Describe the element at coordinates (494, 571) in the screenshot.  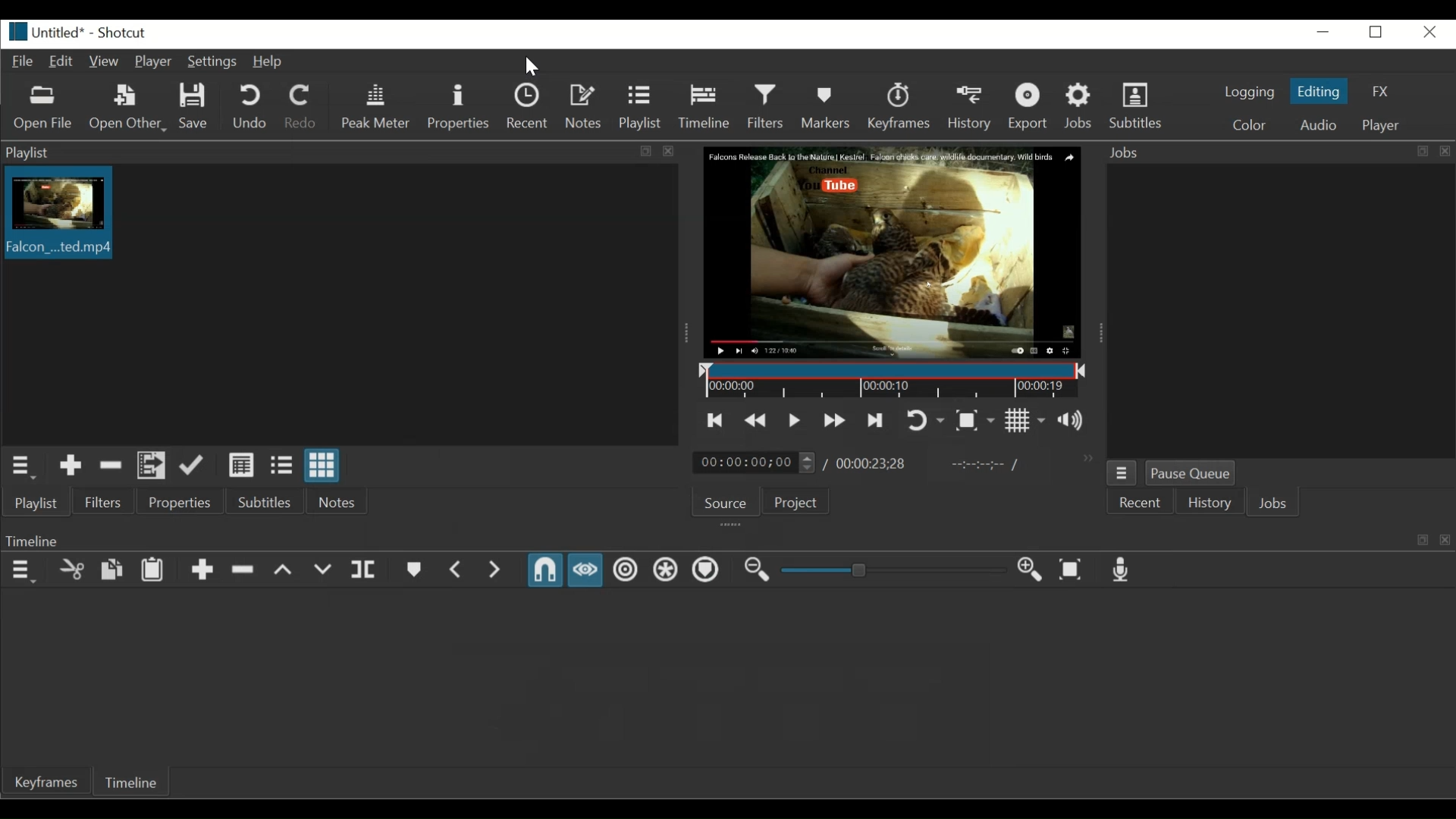
I see `Next Marker` at that location.